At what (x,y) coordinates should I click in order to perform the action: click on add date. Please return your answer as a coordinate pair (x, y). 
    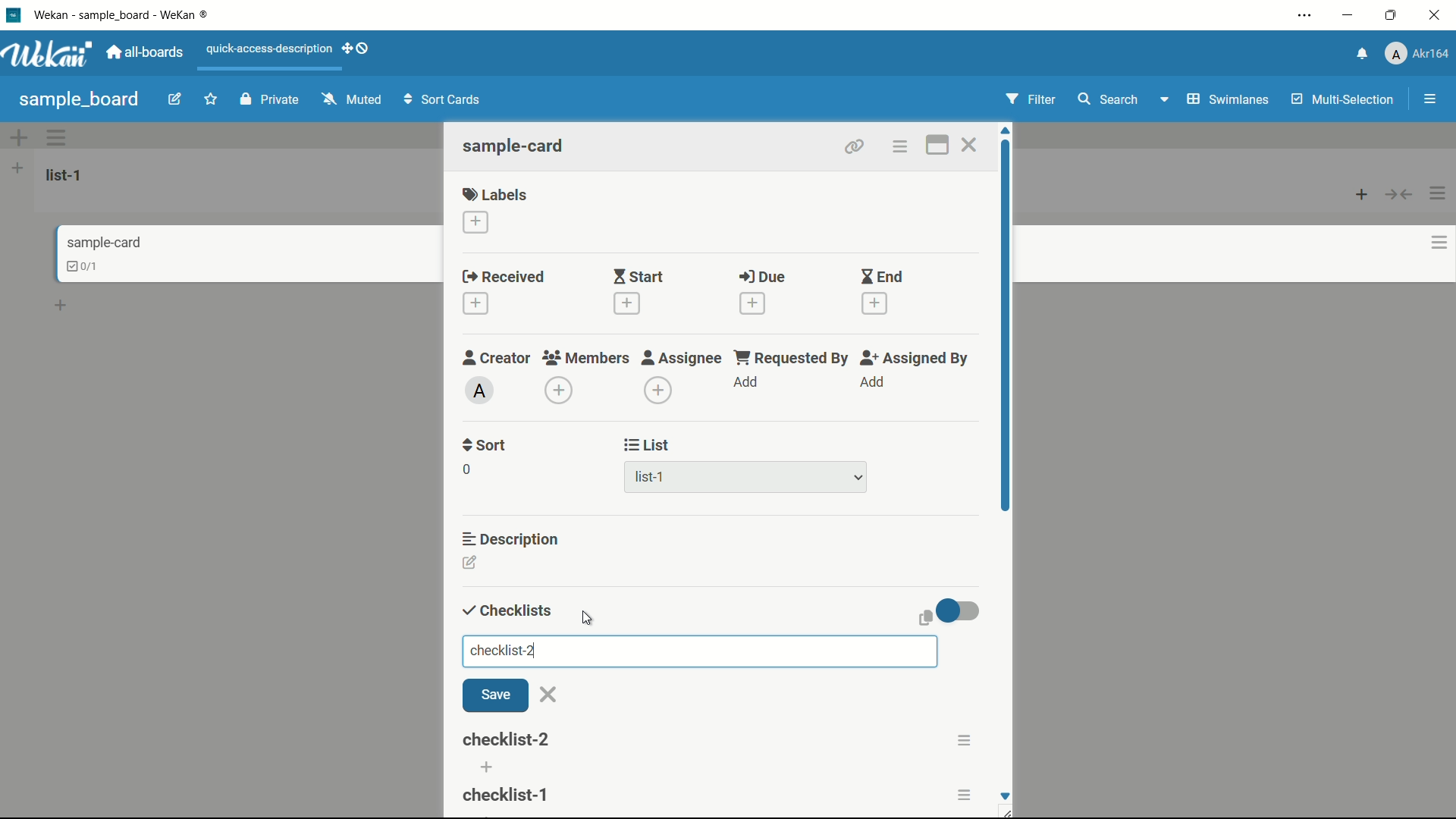
    Looking at the image, I should click on (752, 303).